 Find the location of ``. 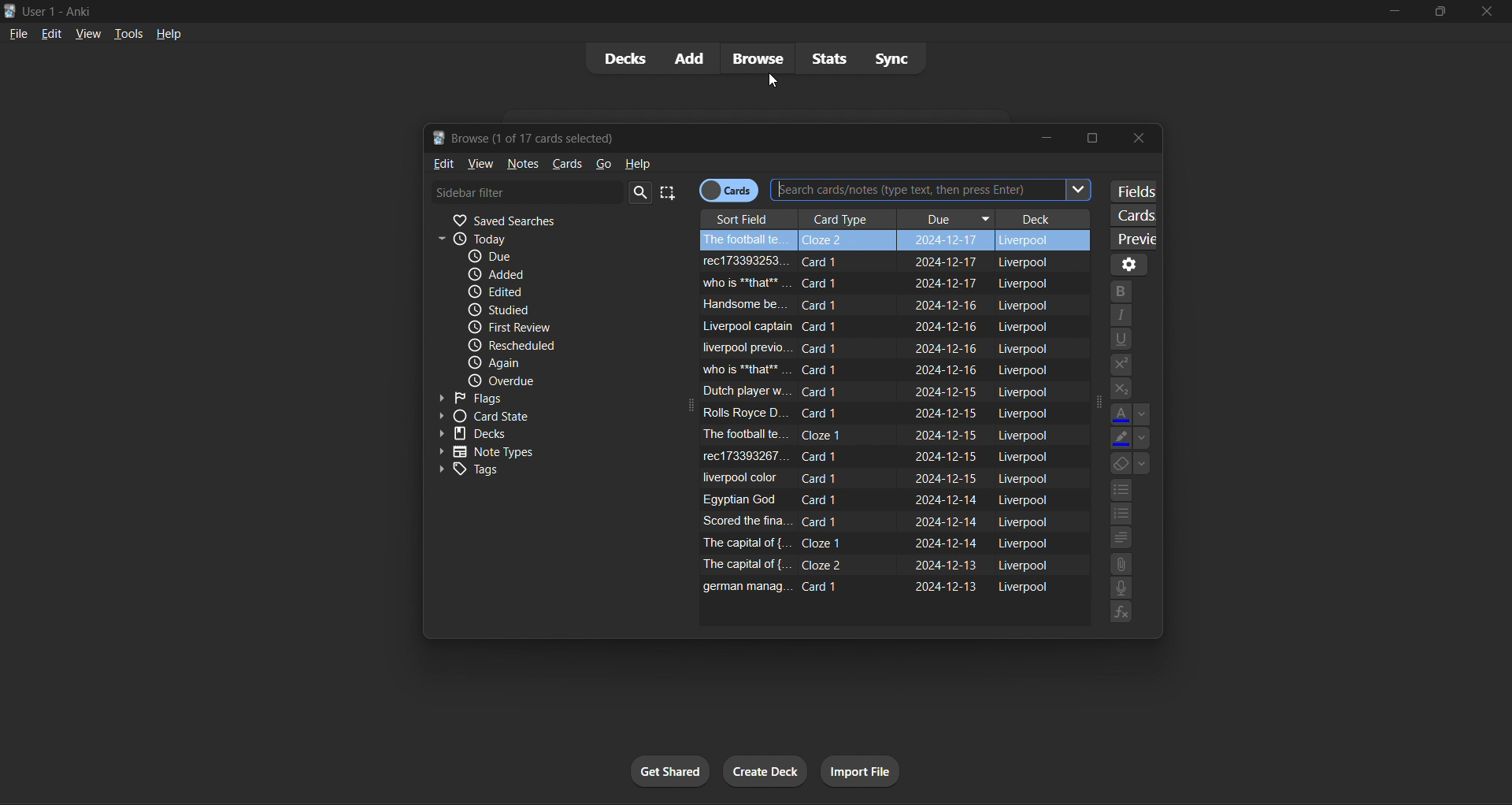

 is located at coordinates (1078, 189).